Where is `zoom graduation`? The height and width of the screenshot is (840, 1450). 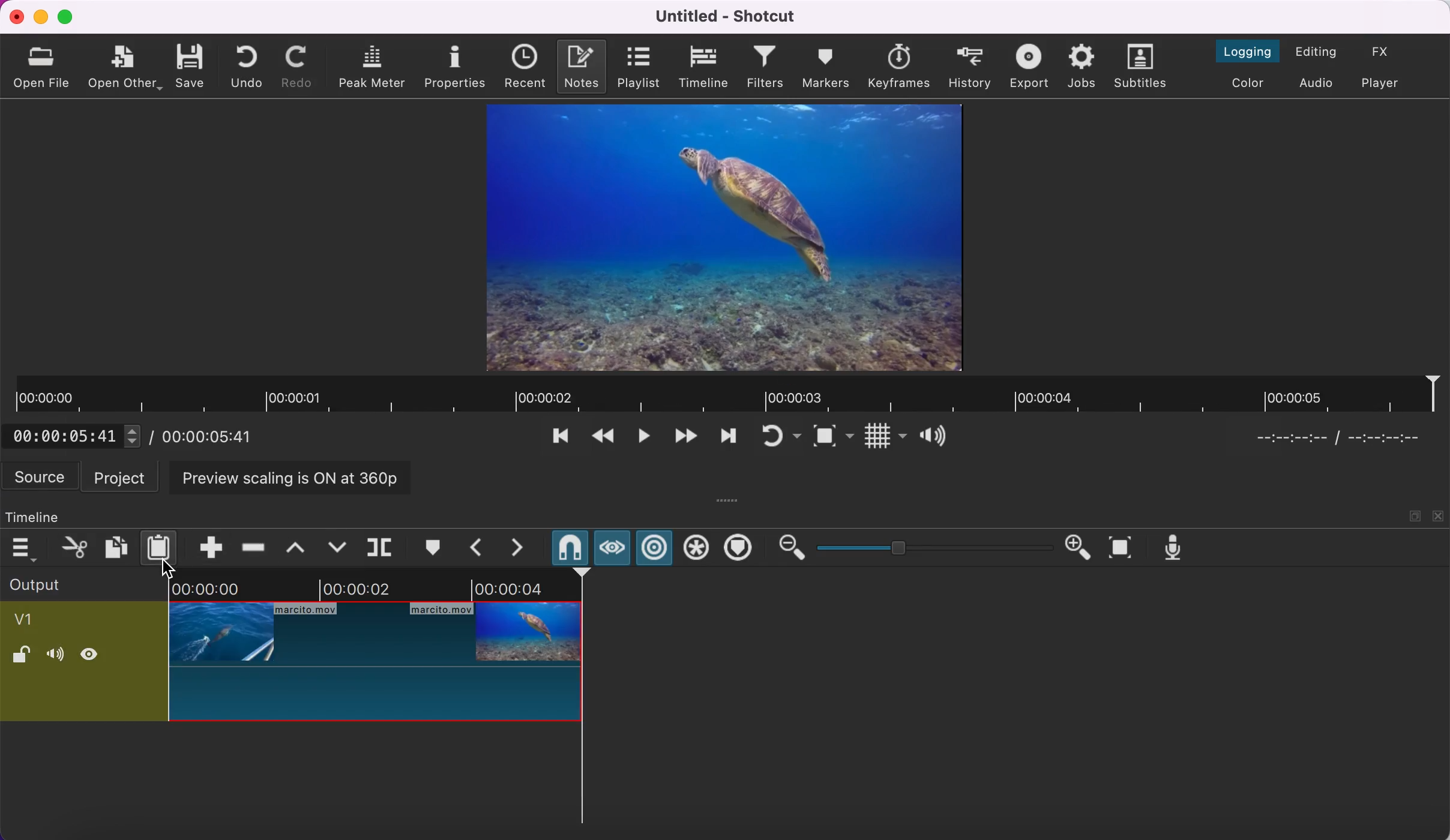
zoom graduation is located at coordinates (933, 547).